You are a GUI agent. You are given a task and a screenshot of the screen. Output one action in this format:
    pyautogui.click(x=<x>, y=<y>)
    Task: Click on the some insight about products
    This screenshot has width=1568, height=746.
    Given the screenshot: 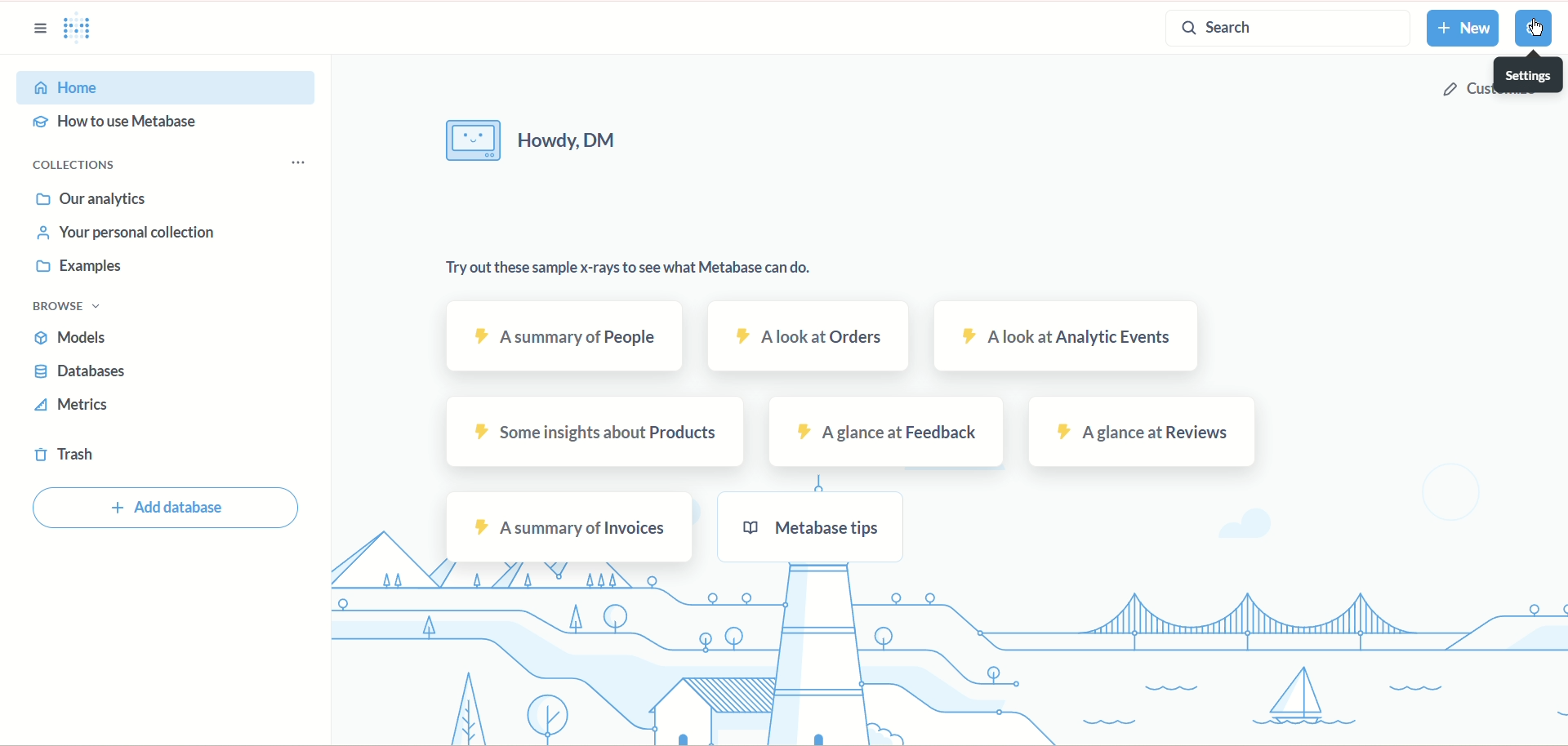 What is the action you would take?
    pyautogui.click(x=594, y=431)
    